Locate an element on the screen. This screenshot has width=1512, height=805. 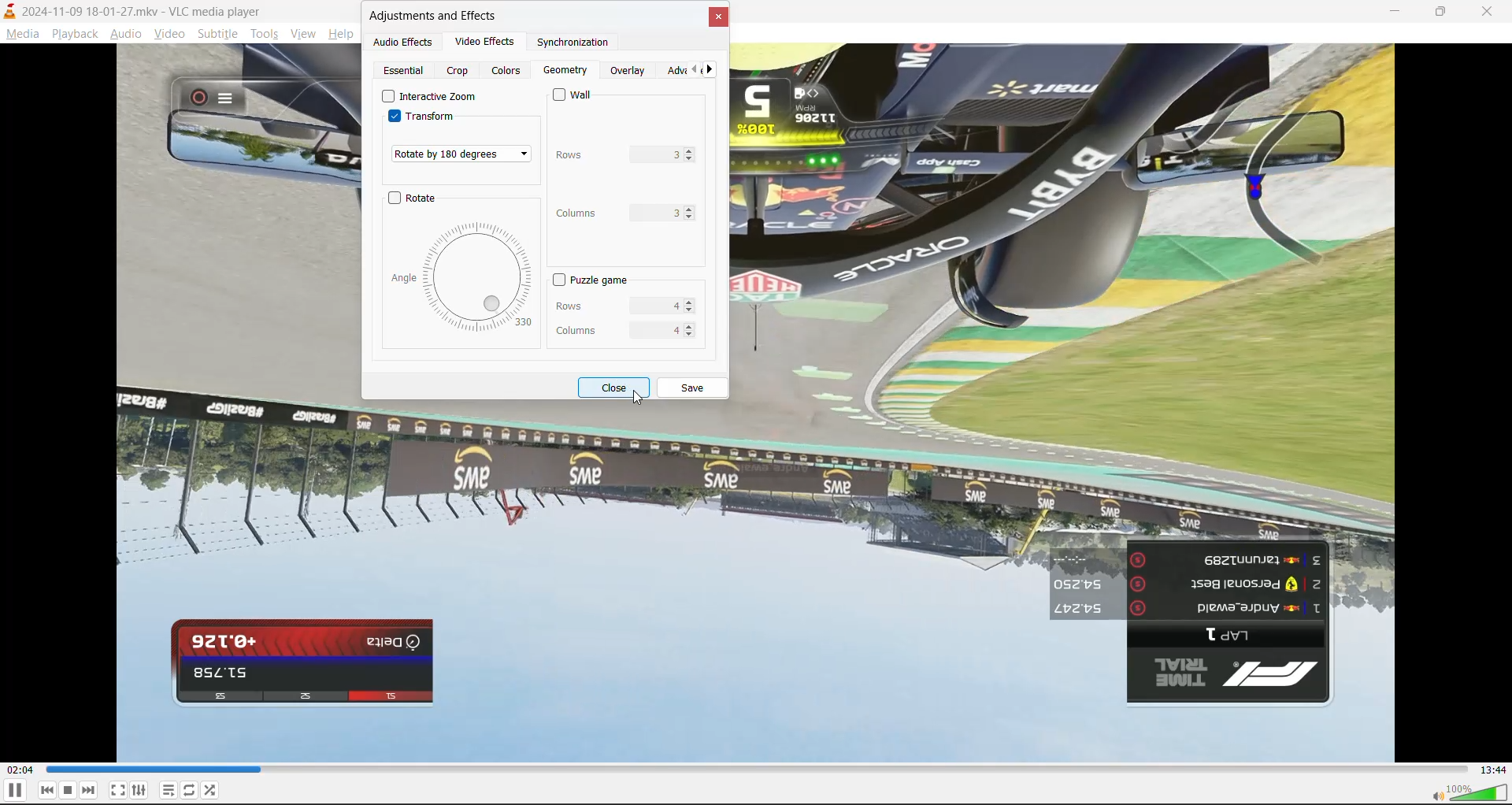
save is located at coordinates (694, 389).